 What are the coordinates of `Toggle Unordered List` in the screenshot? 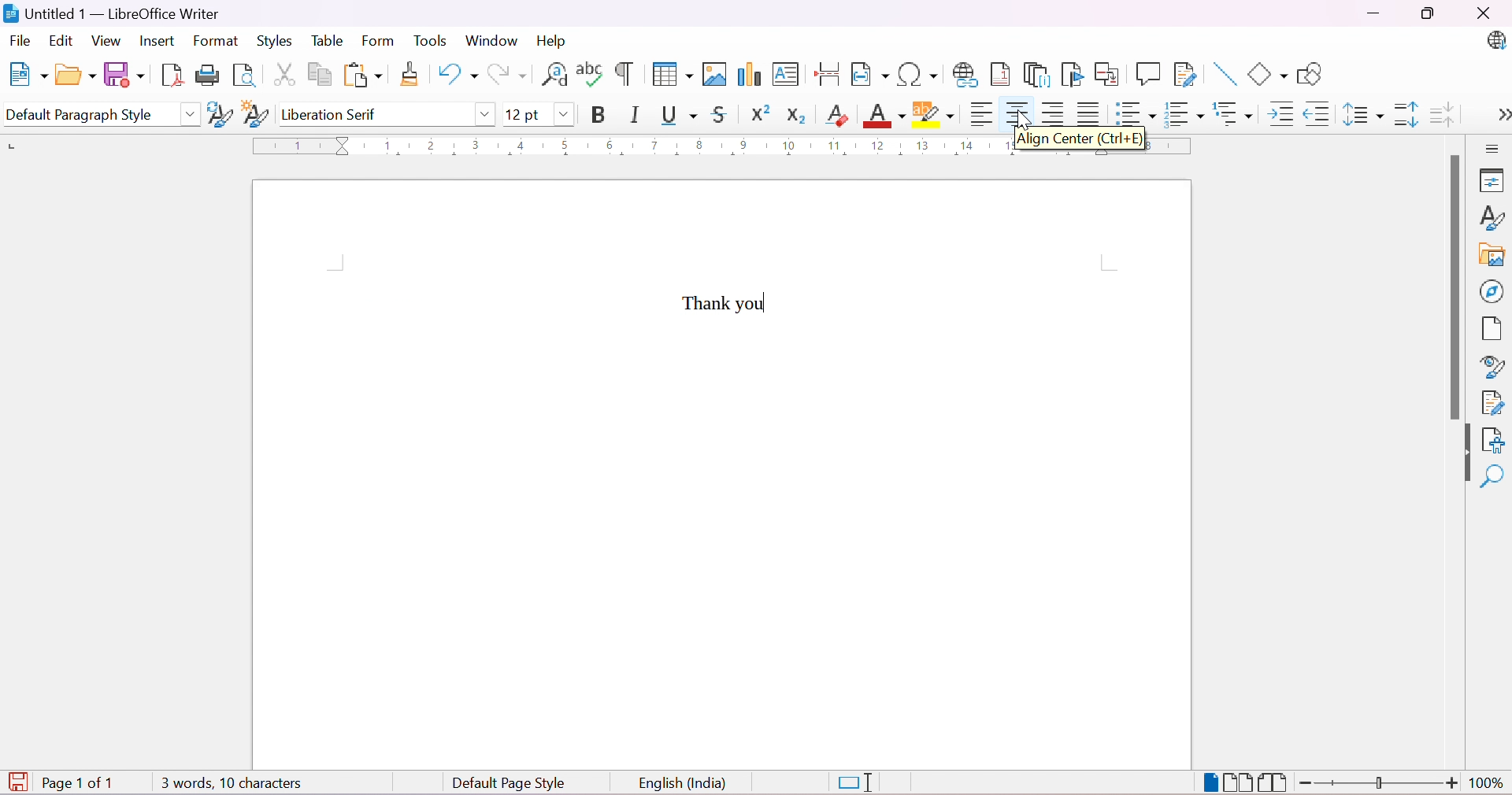 It's located at (1132, 113).